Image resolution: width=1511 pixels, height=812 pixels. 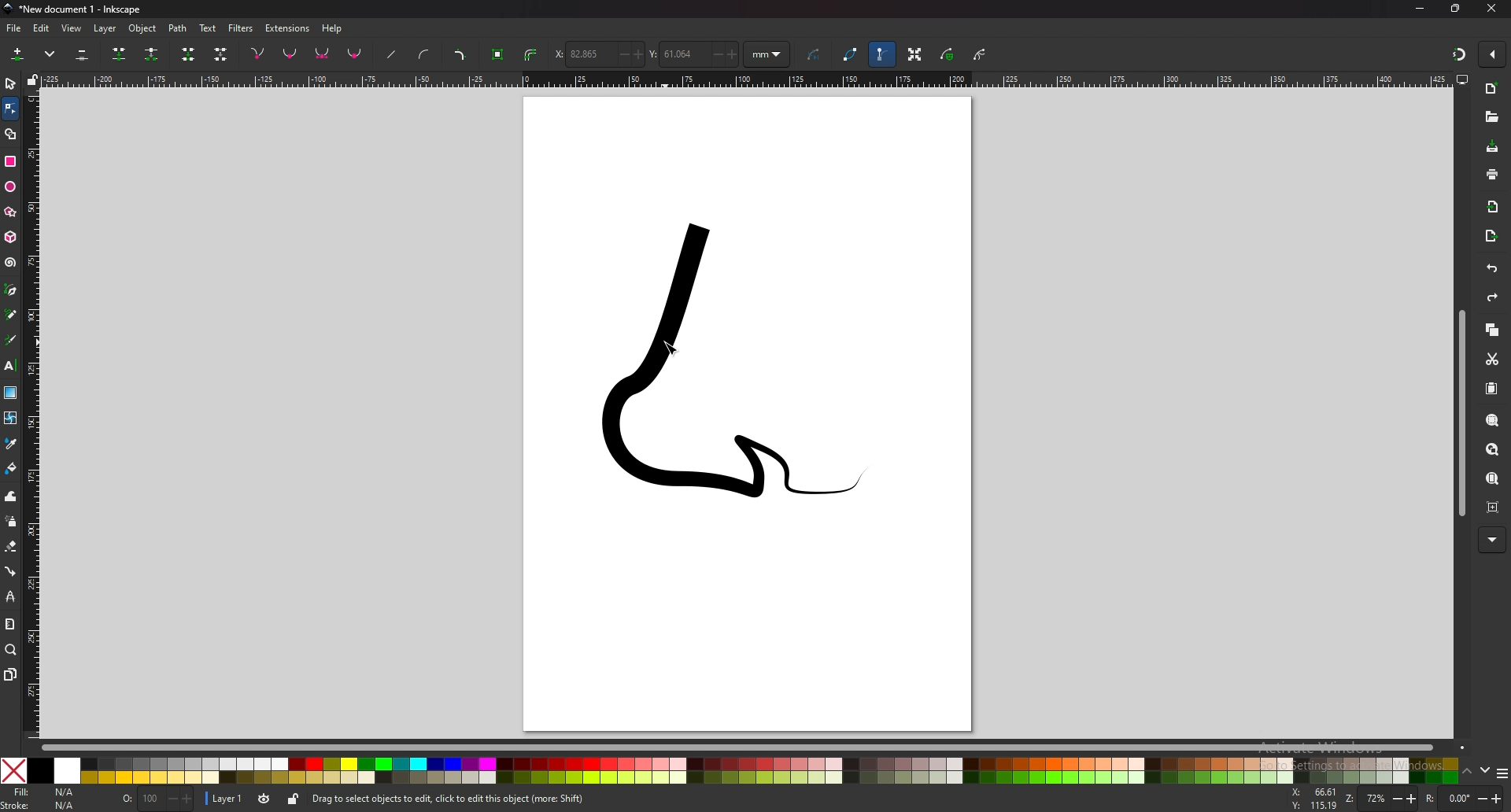 What do you see at coordinates (1502, 775) in the screenshot?
I see `options` at bounding box center [1502, 775].